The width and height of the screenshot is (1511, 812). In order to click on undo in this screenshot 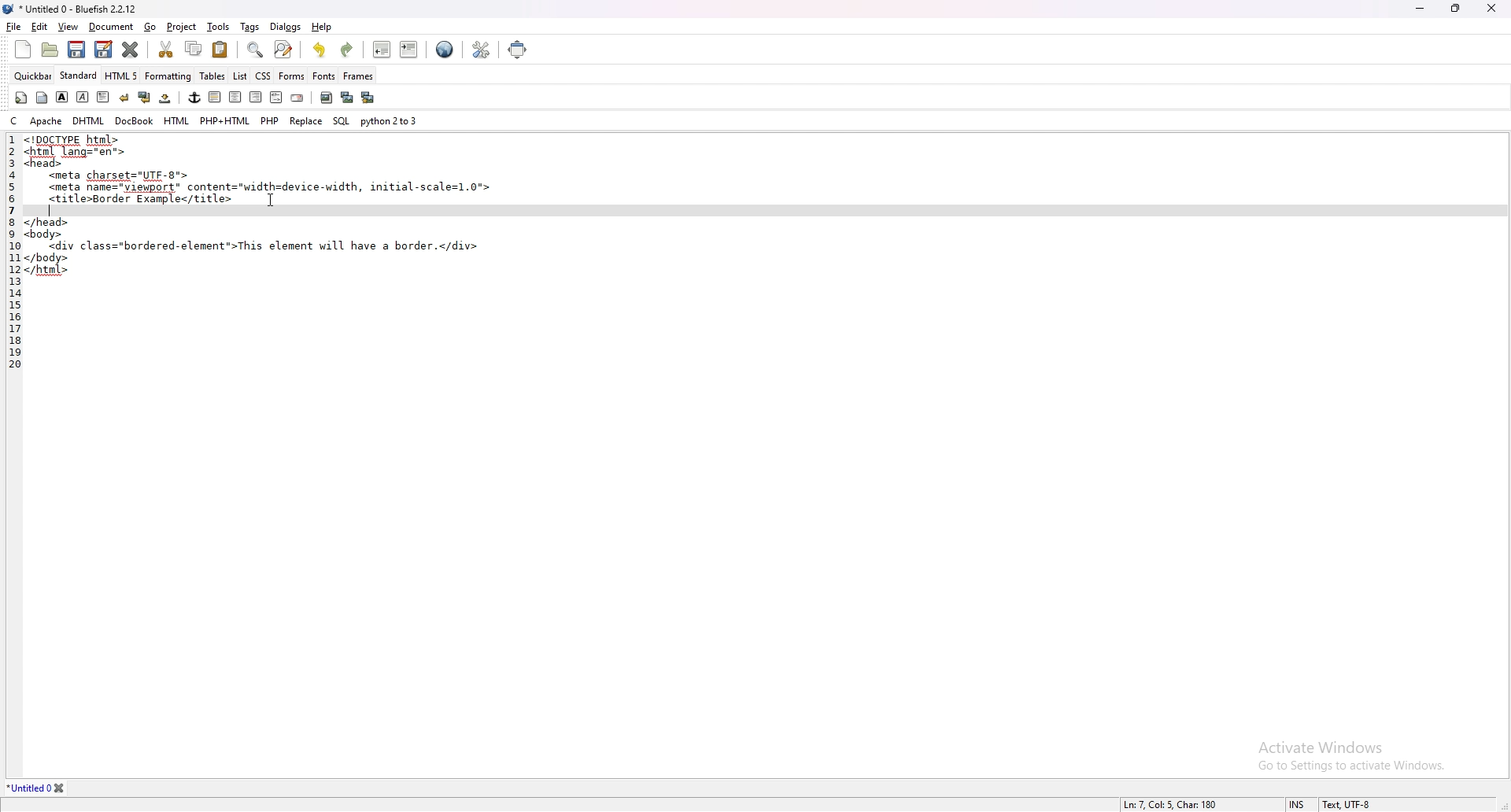, I will do `click(320, 50)`.